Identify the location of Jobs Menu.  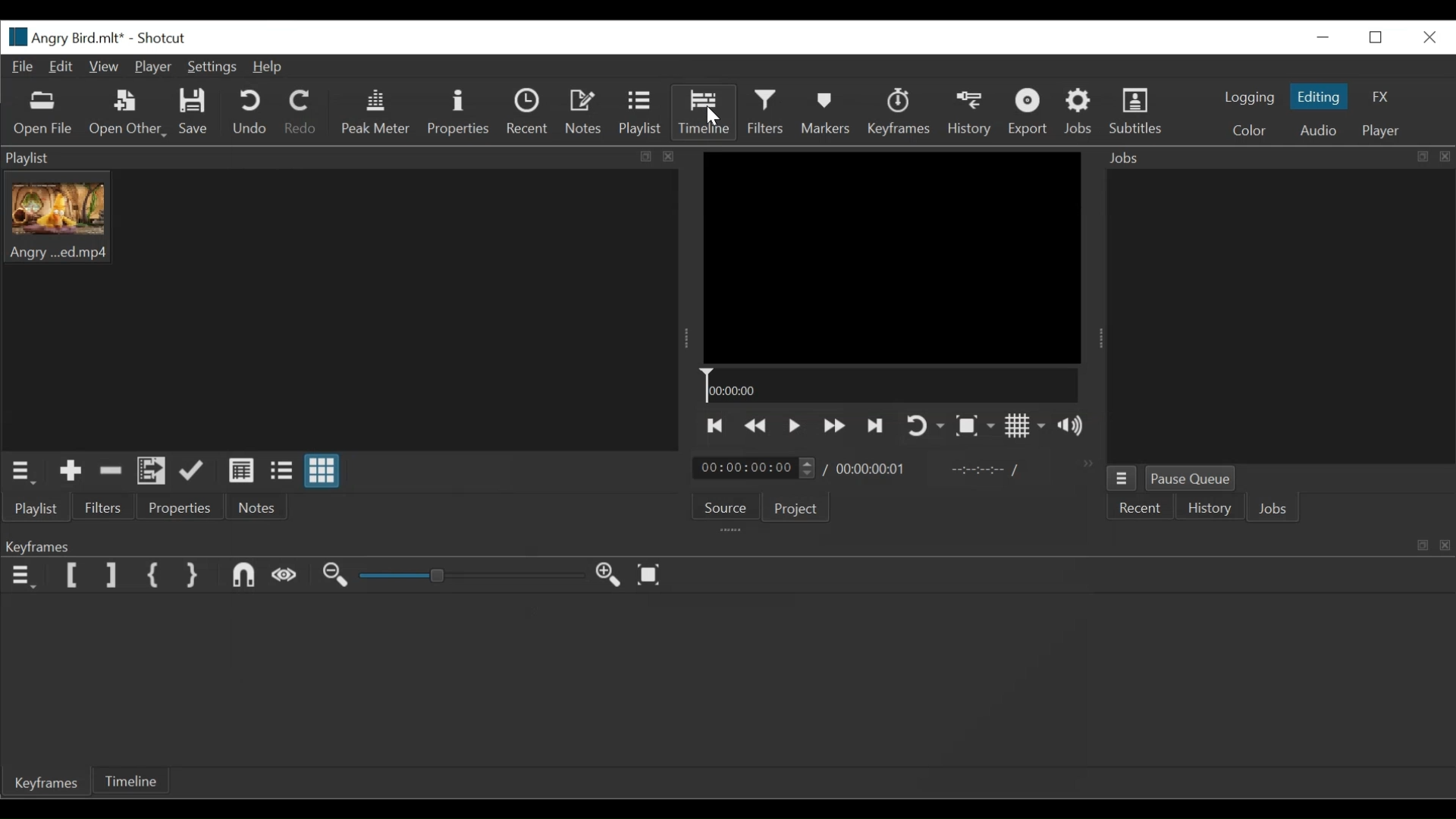
(1122, 480).